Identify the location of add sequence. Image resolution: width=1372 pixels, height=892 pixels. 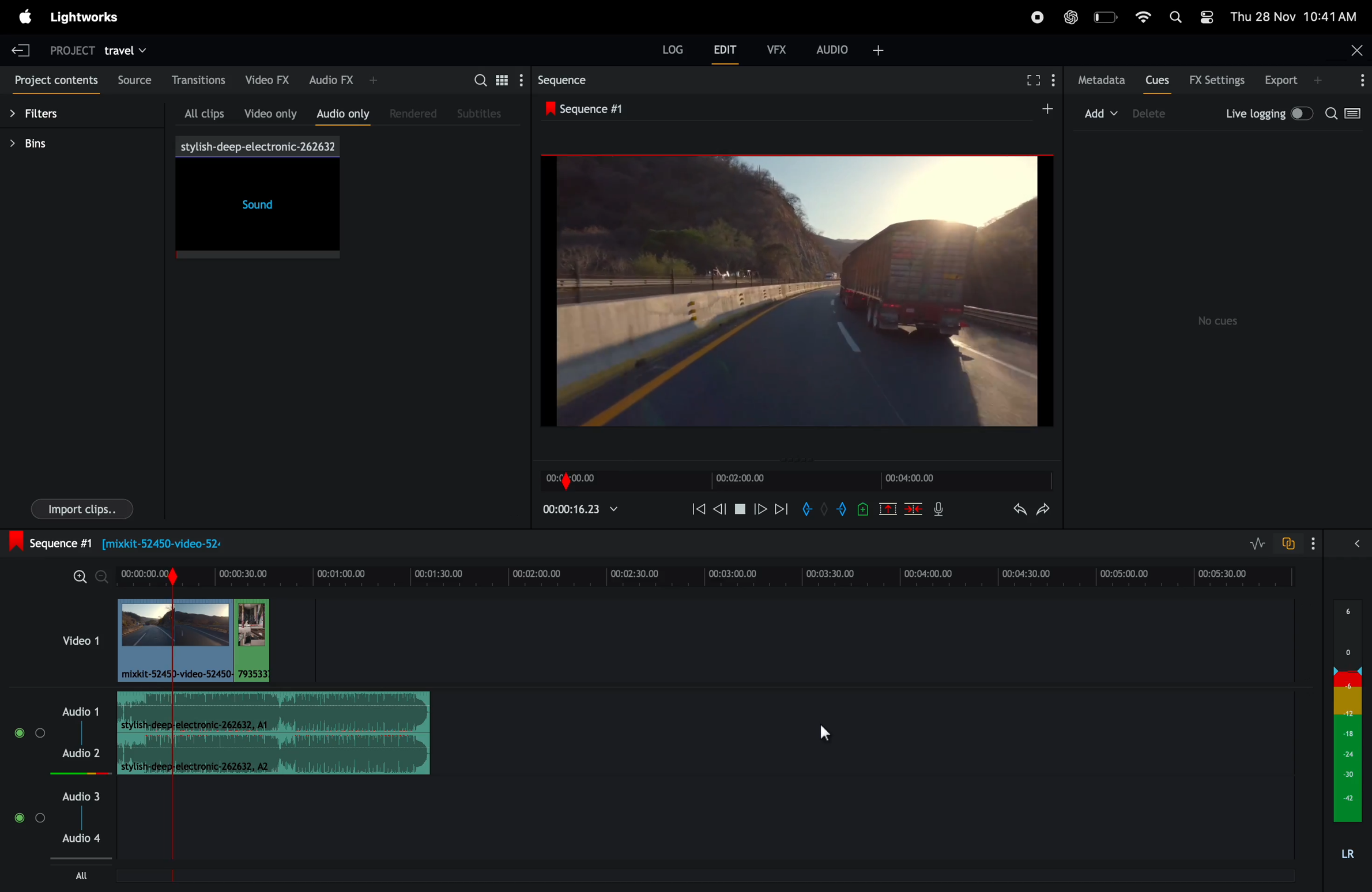
(1047, 109).